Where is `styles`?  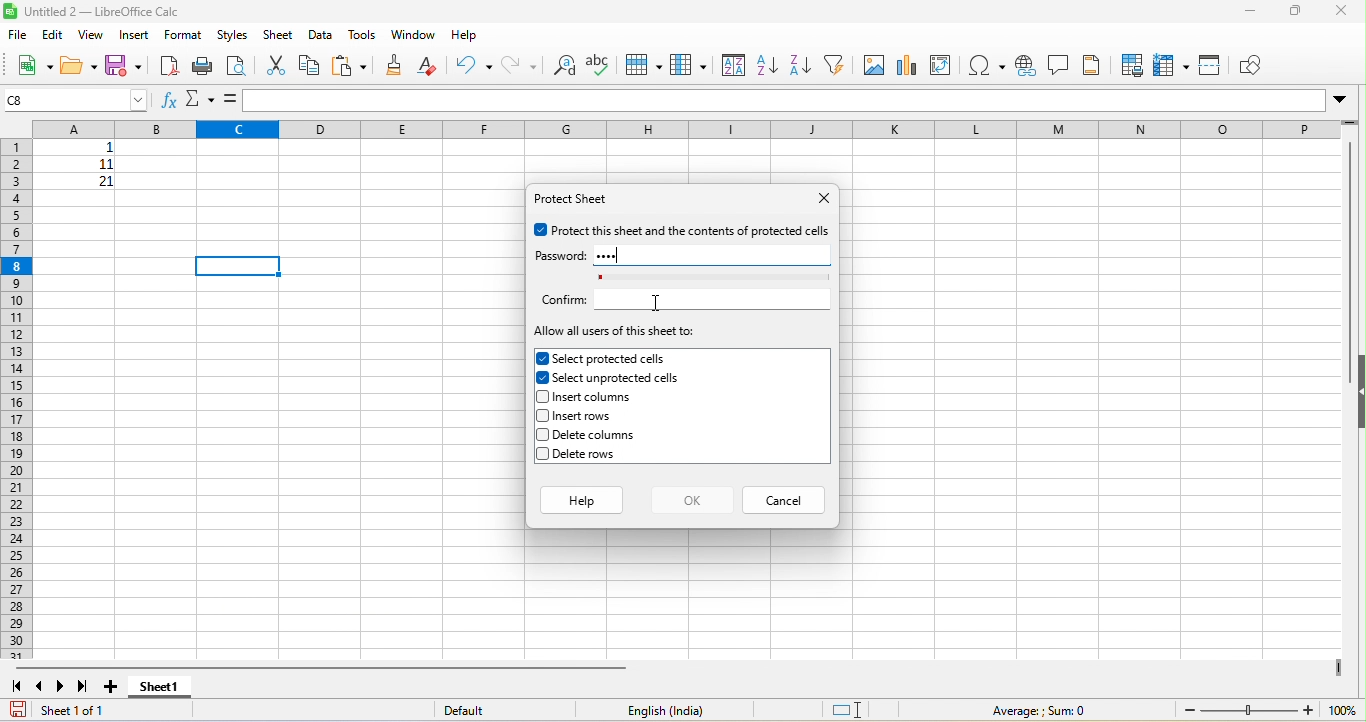 styles is located at coordinates (233, 35).